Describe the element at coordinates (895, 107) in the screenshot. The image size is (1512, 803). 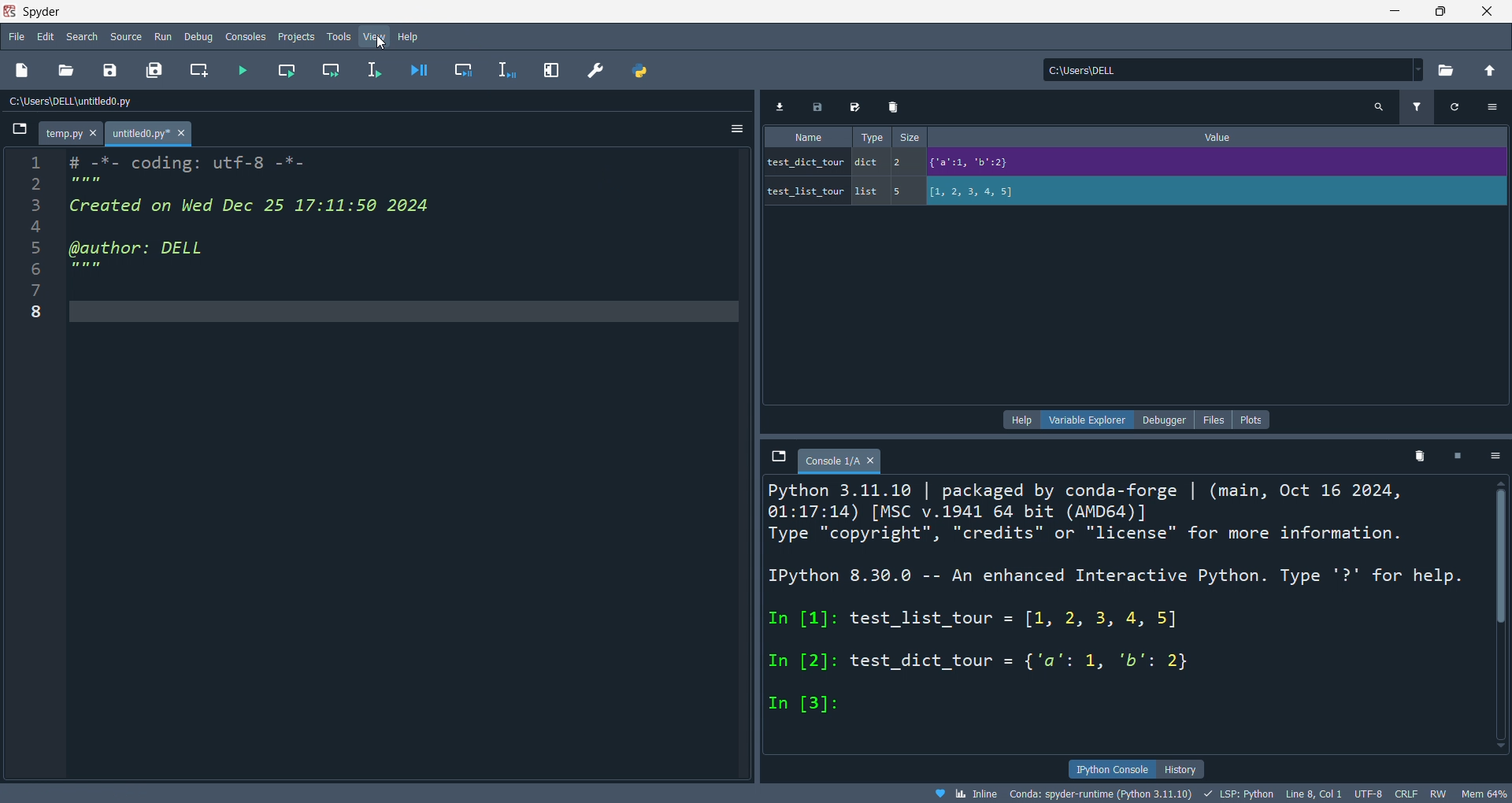
I see `delete` at that location.